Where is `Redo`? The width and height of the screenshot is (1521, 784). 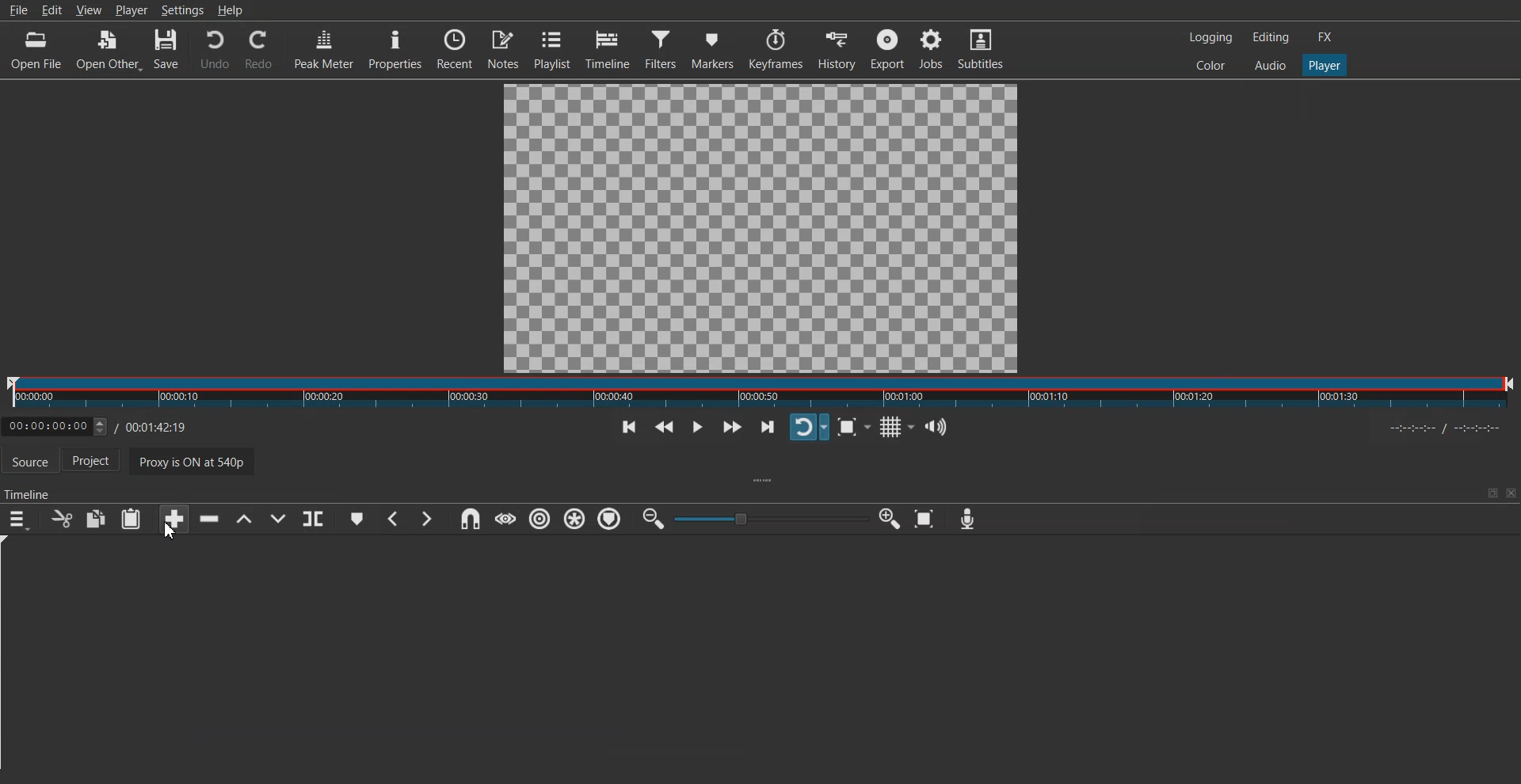
Redo is located at coordinates (259, 50).